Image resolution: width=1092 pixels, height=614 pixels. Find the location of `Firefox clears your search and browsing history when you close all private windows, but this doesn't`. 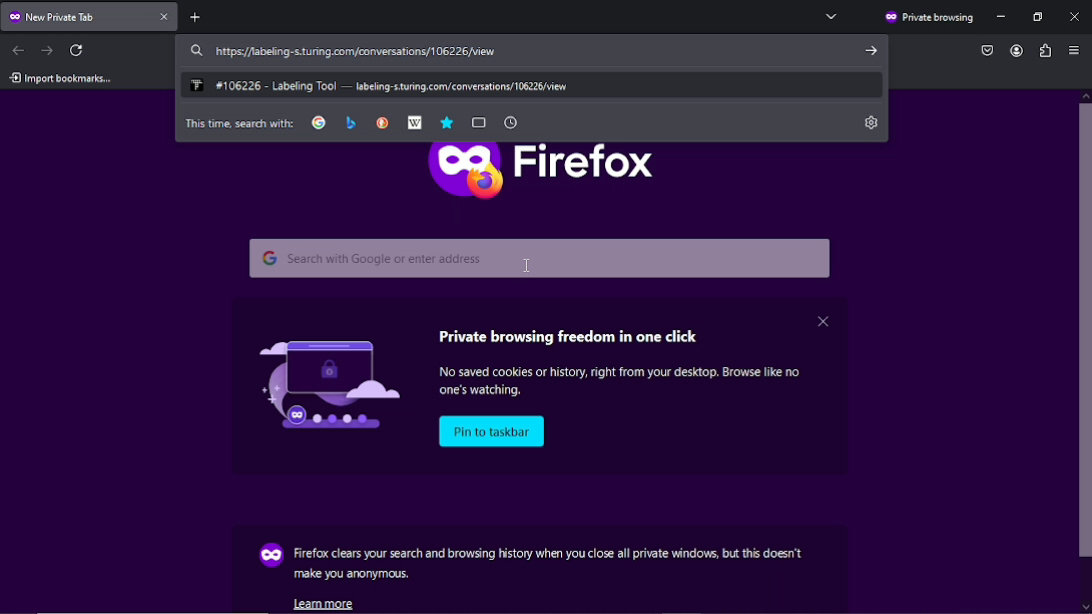

Firefox clears your search and browsing history when you close all private windows, but this doesn't is located at coordinates (549, 553).